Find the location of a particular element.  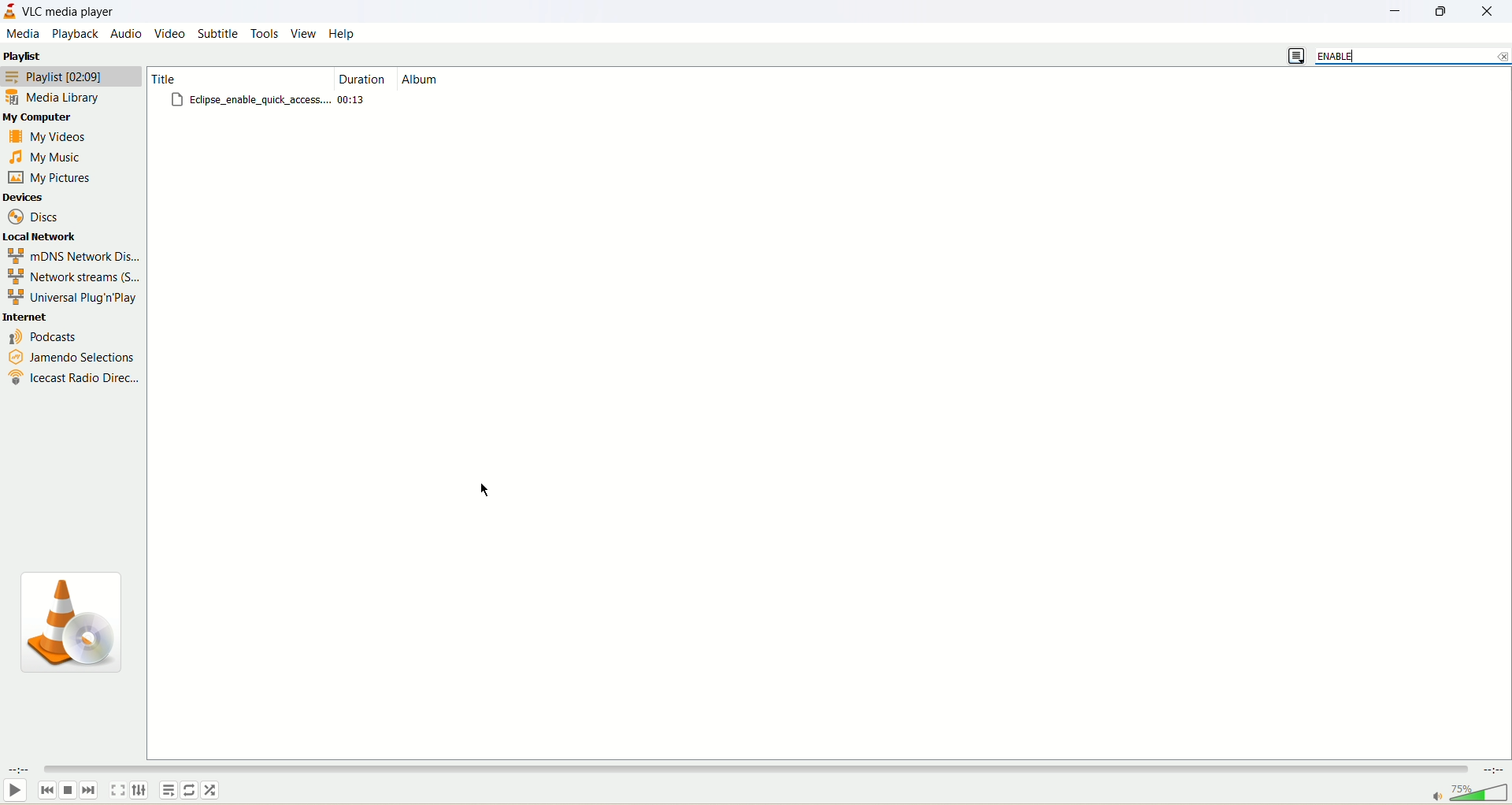

Eclipse_enable_quick_access.... is located at coordinates (252, 99).